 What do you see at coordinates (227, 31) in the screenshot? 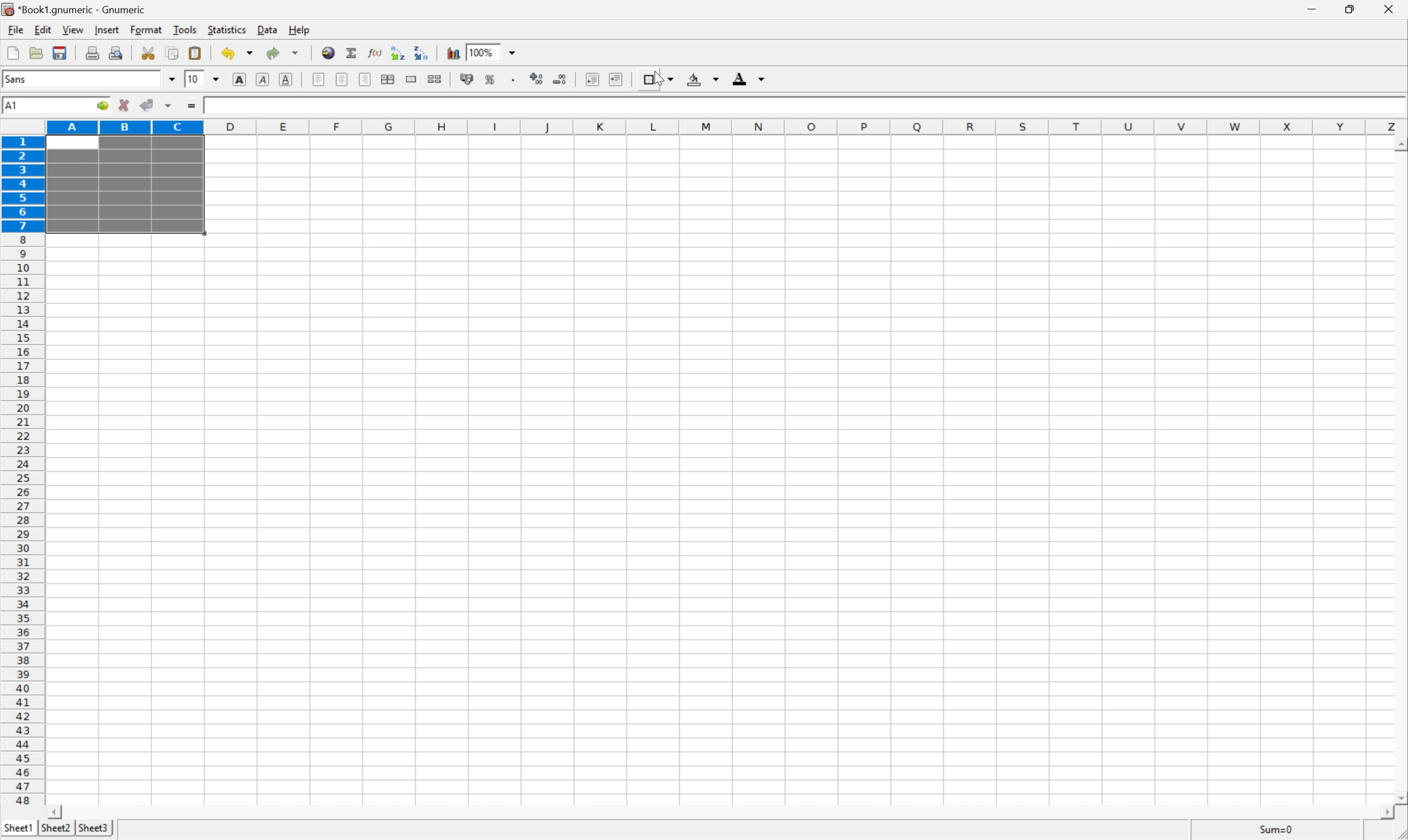
I see `statistics` at bounding box center [227, 31].